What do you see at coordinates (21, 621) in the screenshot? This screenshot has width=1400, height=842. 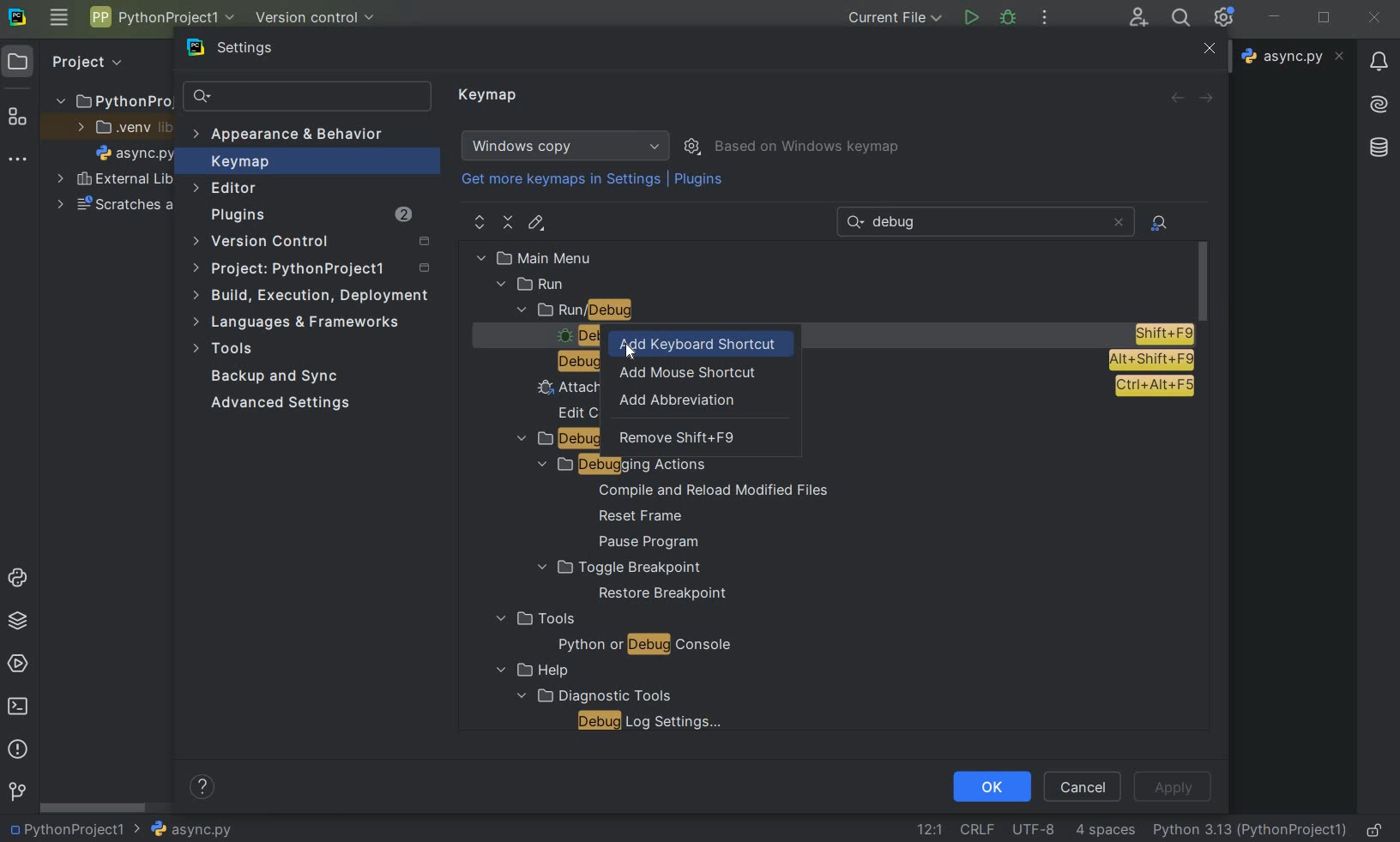 I see `python packages` at bounding box center [21, 621].